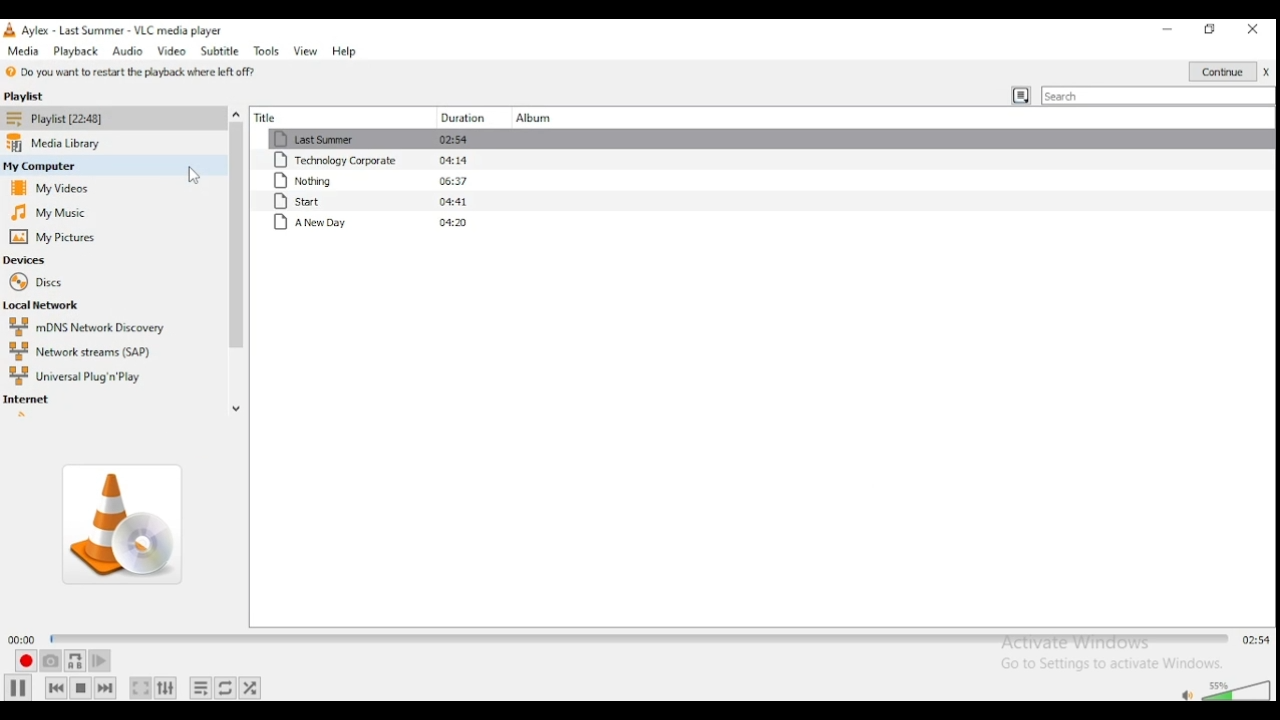  I want to click on my music, so click(47, 213).